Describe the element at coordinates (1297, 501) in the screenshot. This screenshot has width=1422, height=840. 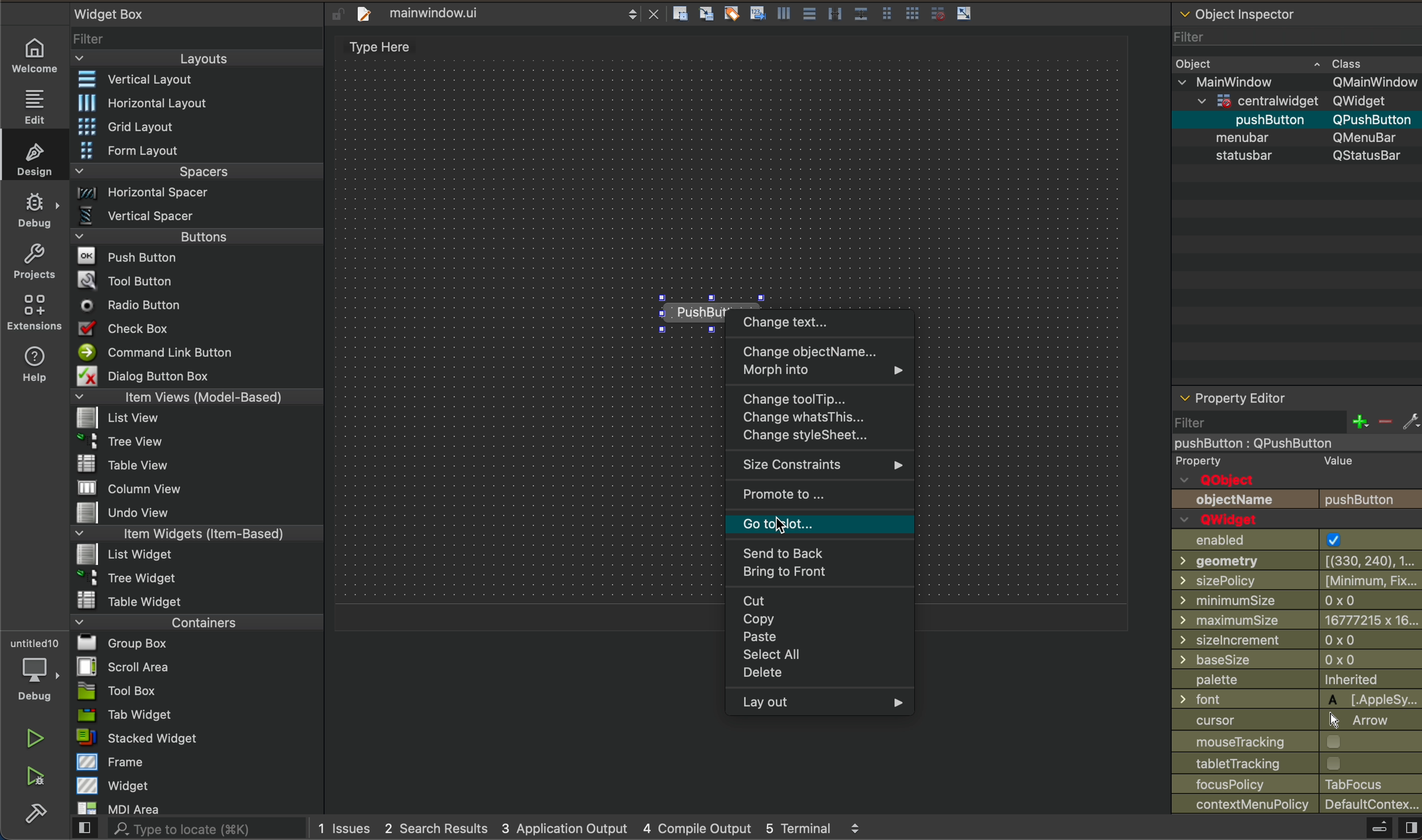
I see `push button` at that location.